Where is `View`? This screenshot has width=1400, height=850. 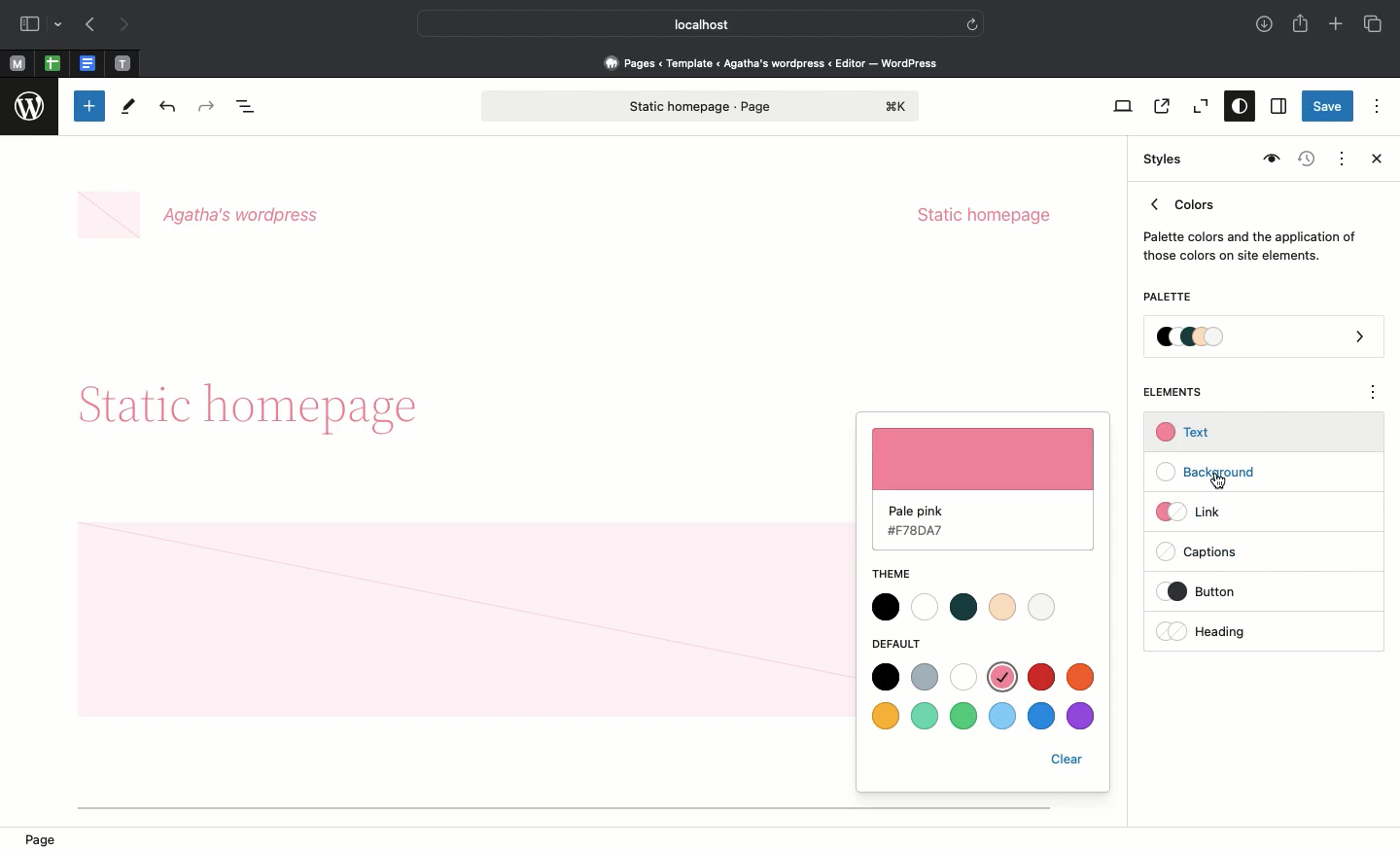 View is located at coordinates (1119, 106).